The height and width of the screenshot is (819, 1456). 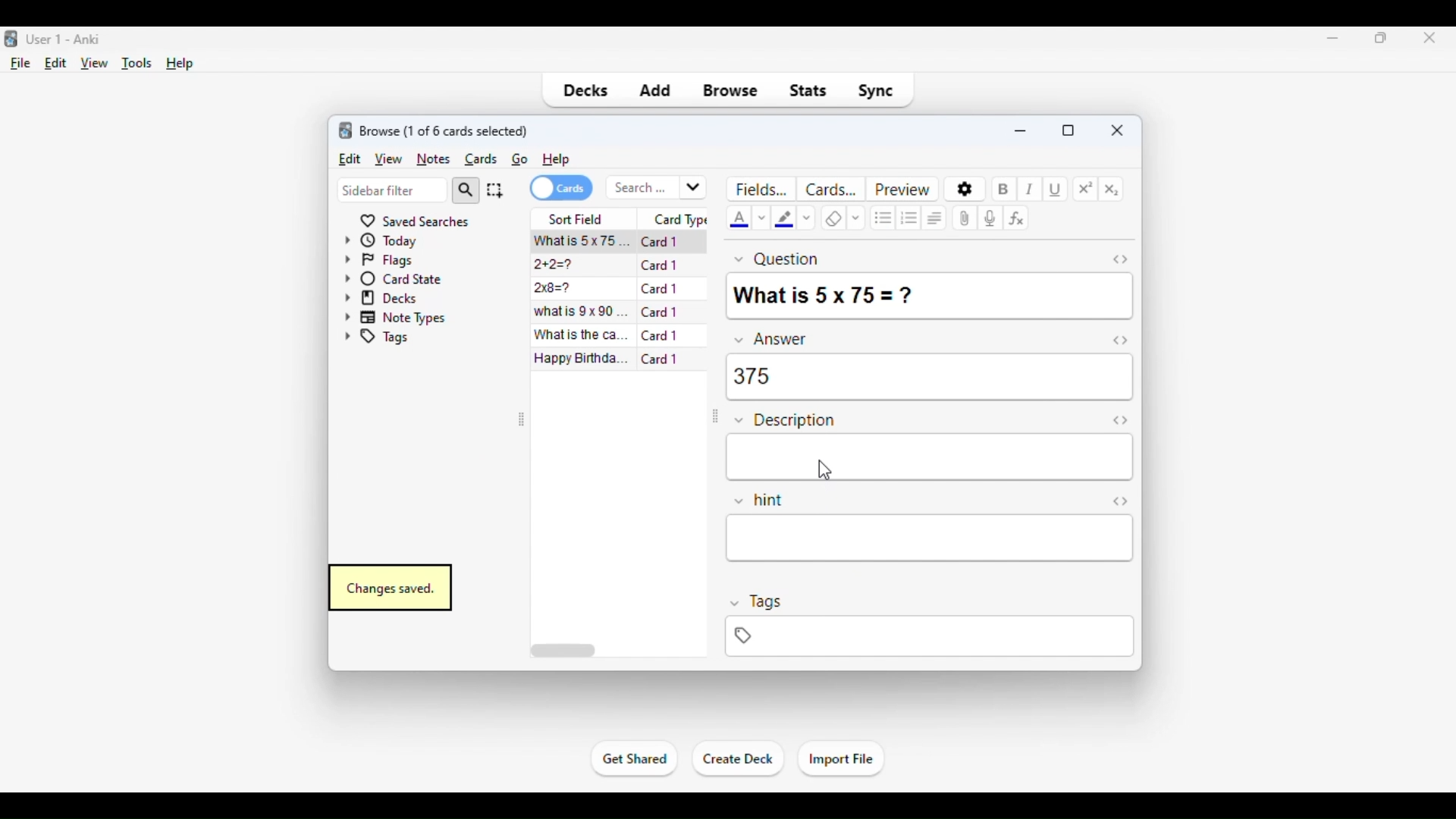 I want to click on italic, so click(x=1030, y=189).